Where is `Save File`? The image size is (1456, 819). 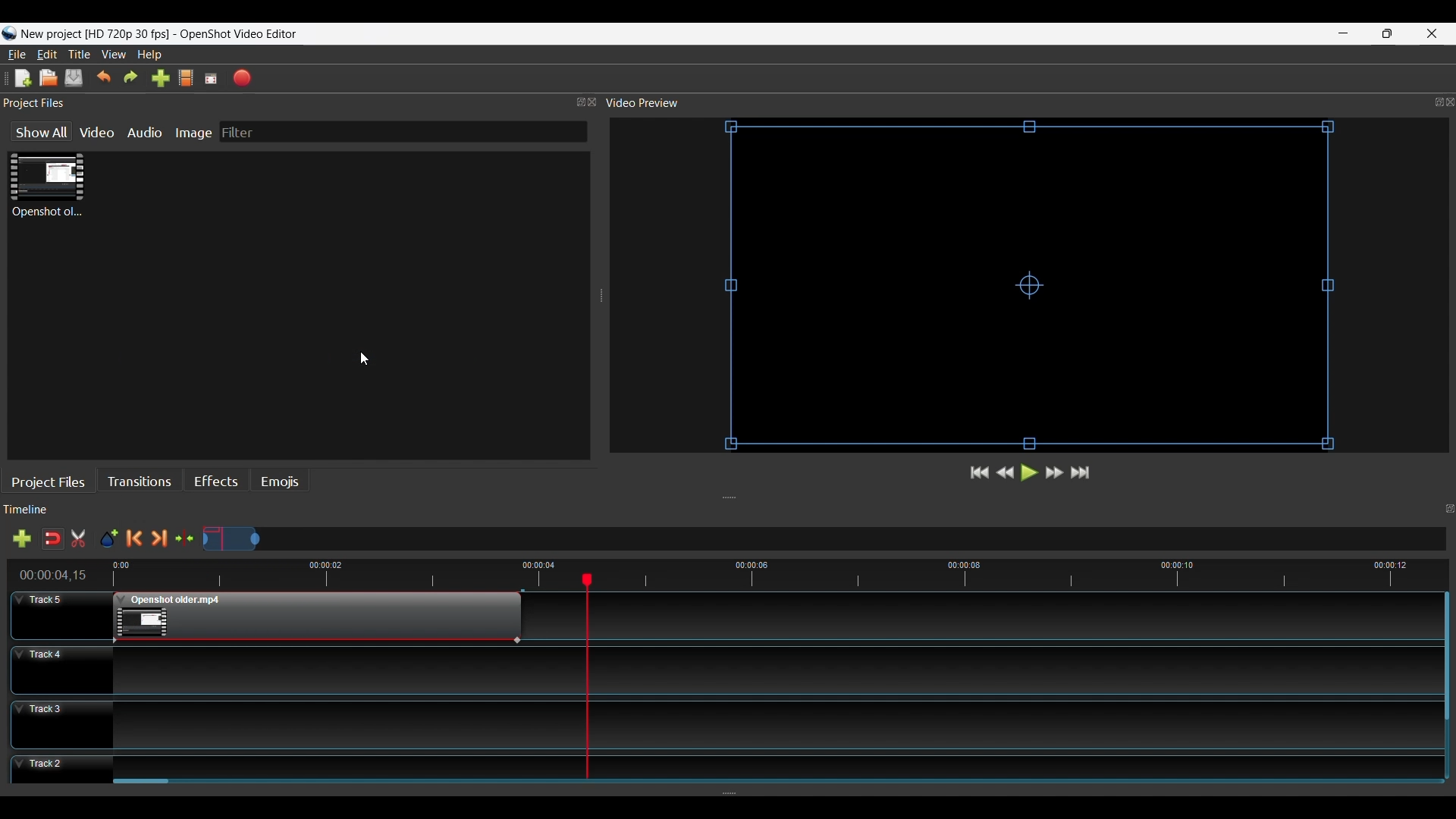
Save File is located at coordinates (75, 77).